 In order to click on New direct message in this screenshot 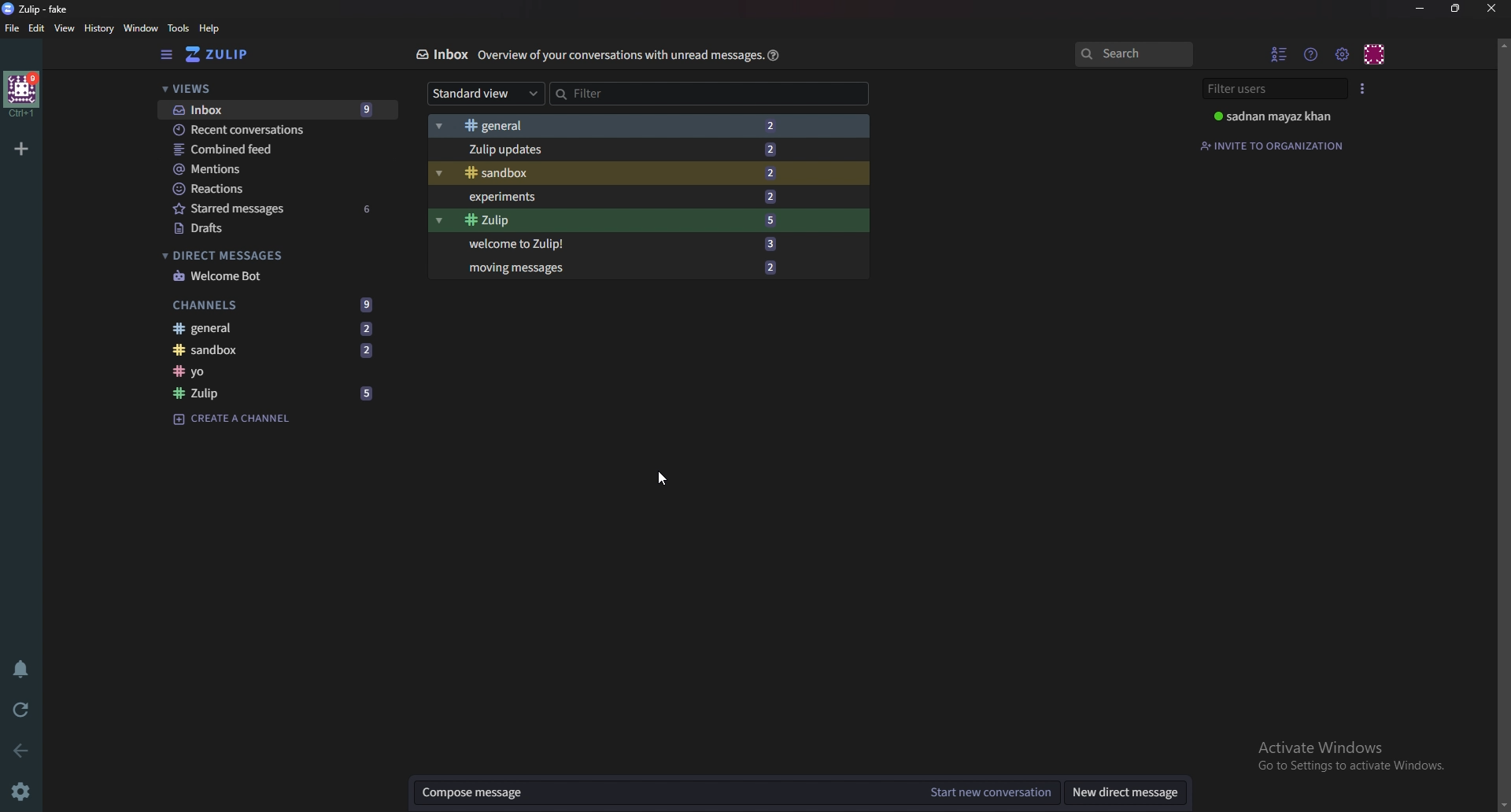, I will do `click(1125, 793)`.